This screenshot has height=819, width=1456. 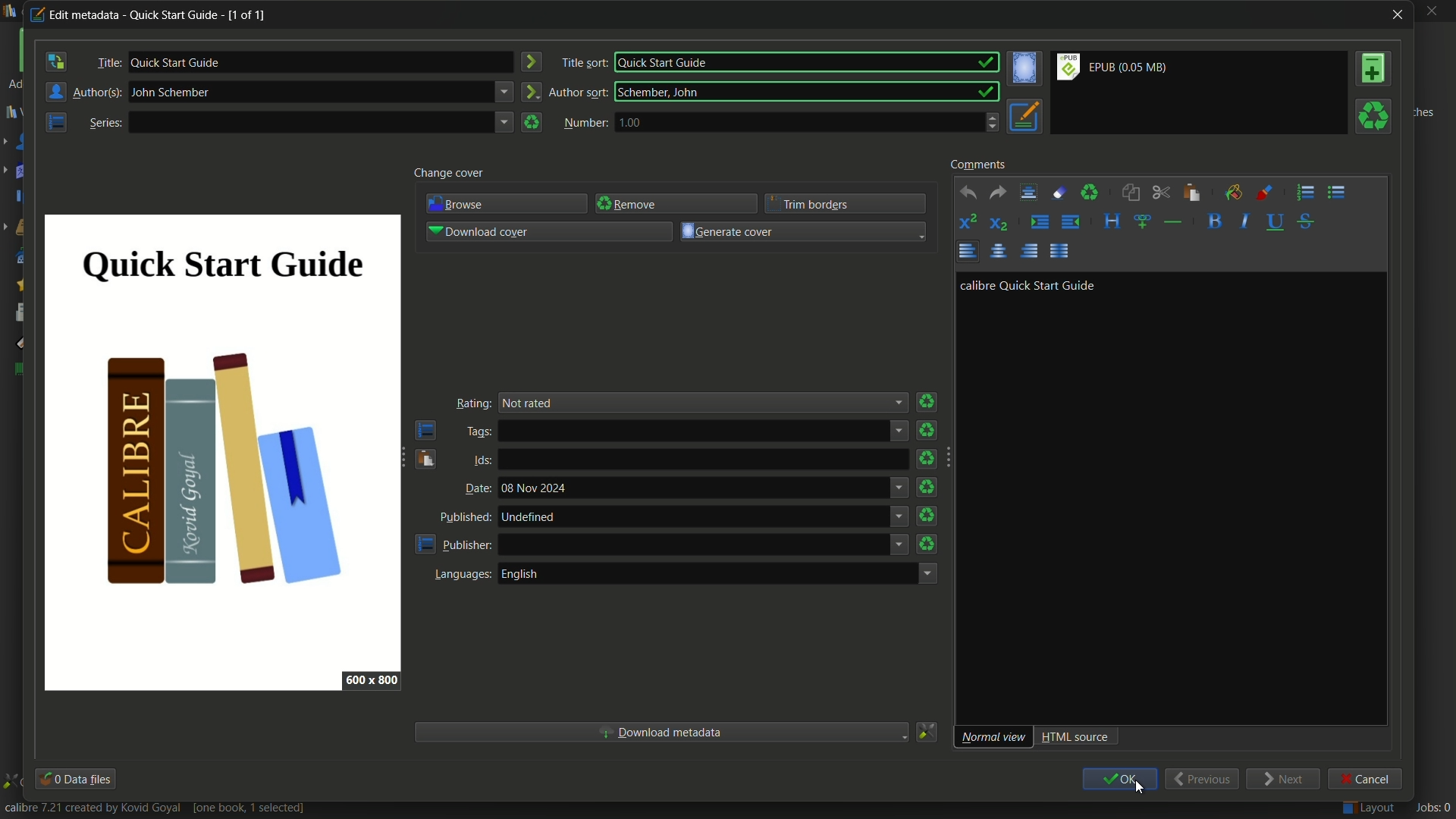 I want to click on remove, so click(x=929, y=403).